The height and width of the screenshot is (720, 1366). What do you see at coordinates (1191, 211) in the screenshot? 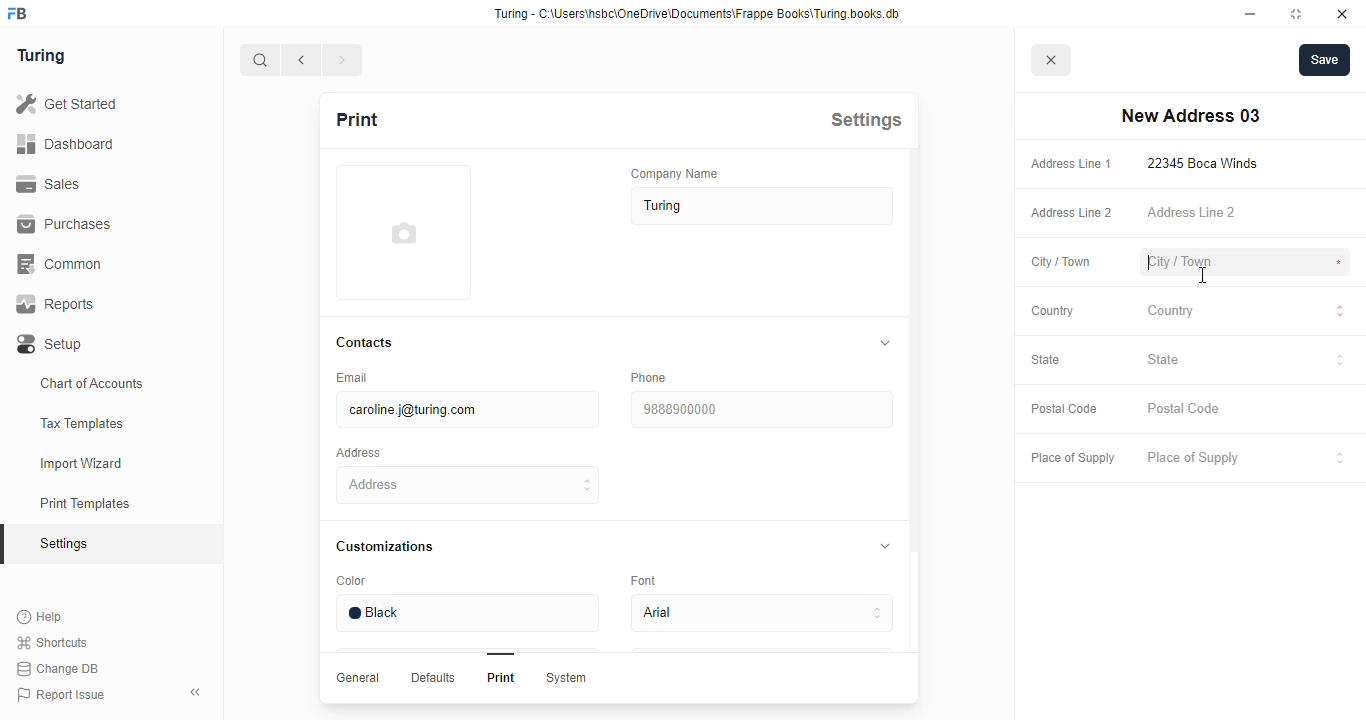
I see `address line 2` at bounding box center [1191, 211].